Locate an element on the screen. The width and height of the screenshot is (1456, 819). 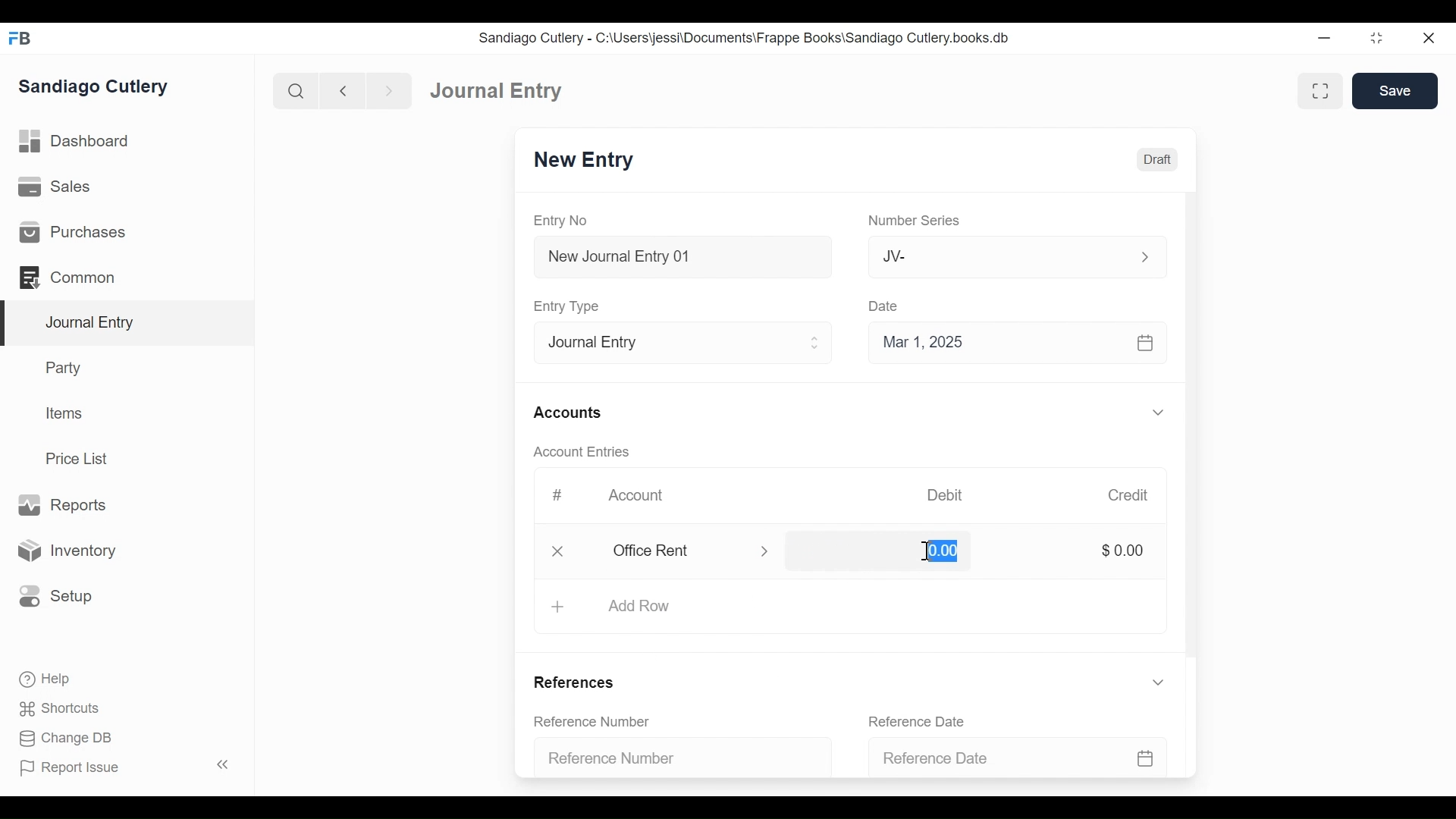
maximize is located at coordinates (1378, 37).